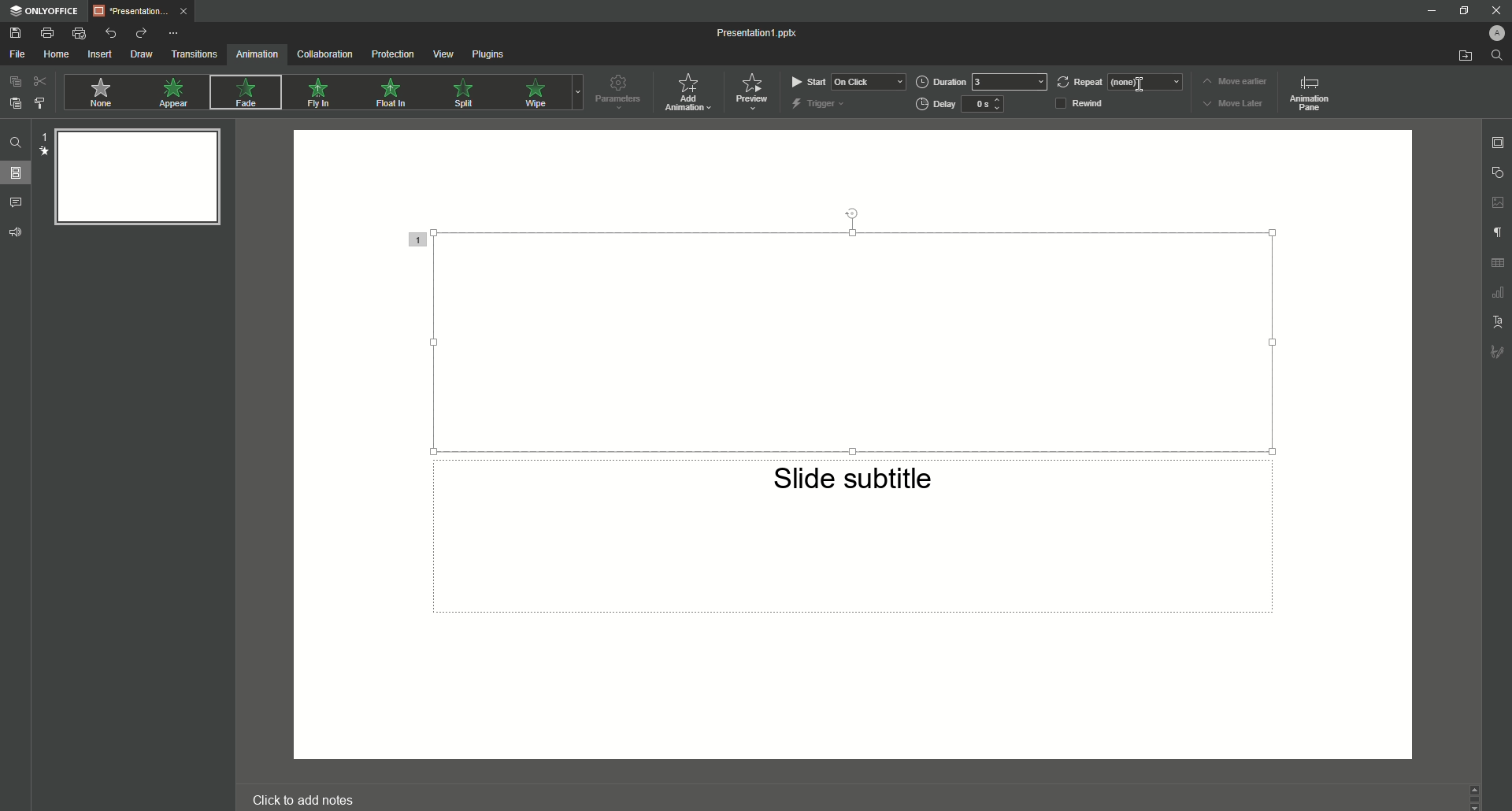 This screenshot has width=1512, height=811. Describe the element at coordinates (392, 56) in the screenshot. I see `Protection` at that location.